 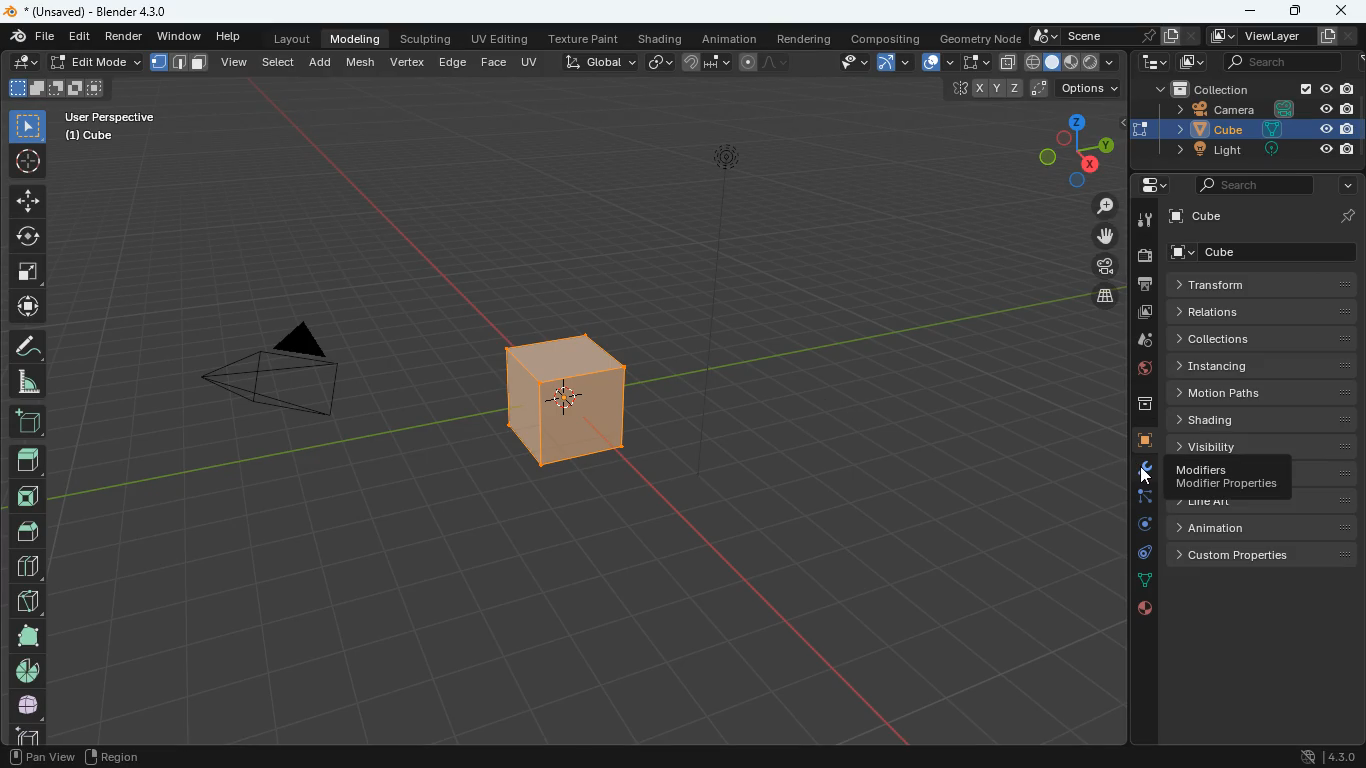 What do you see at coordinates (1141, 219) in the screenshot?
I see `tools` at bounding box center [1141, 219].